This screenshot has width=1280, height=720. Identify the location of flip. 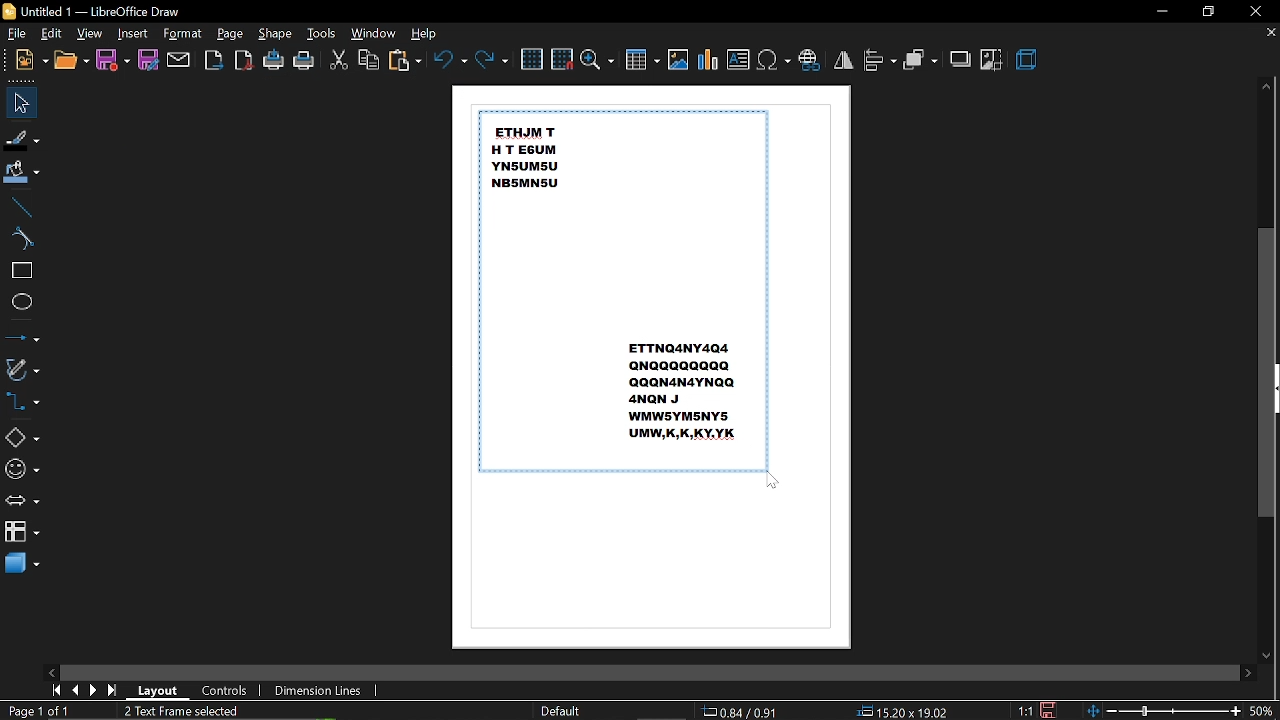
(844, 59).